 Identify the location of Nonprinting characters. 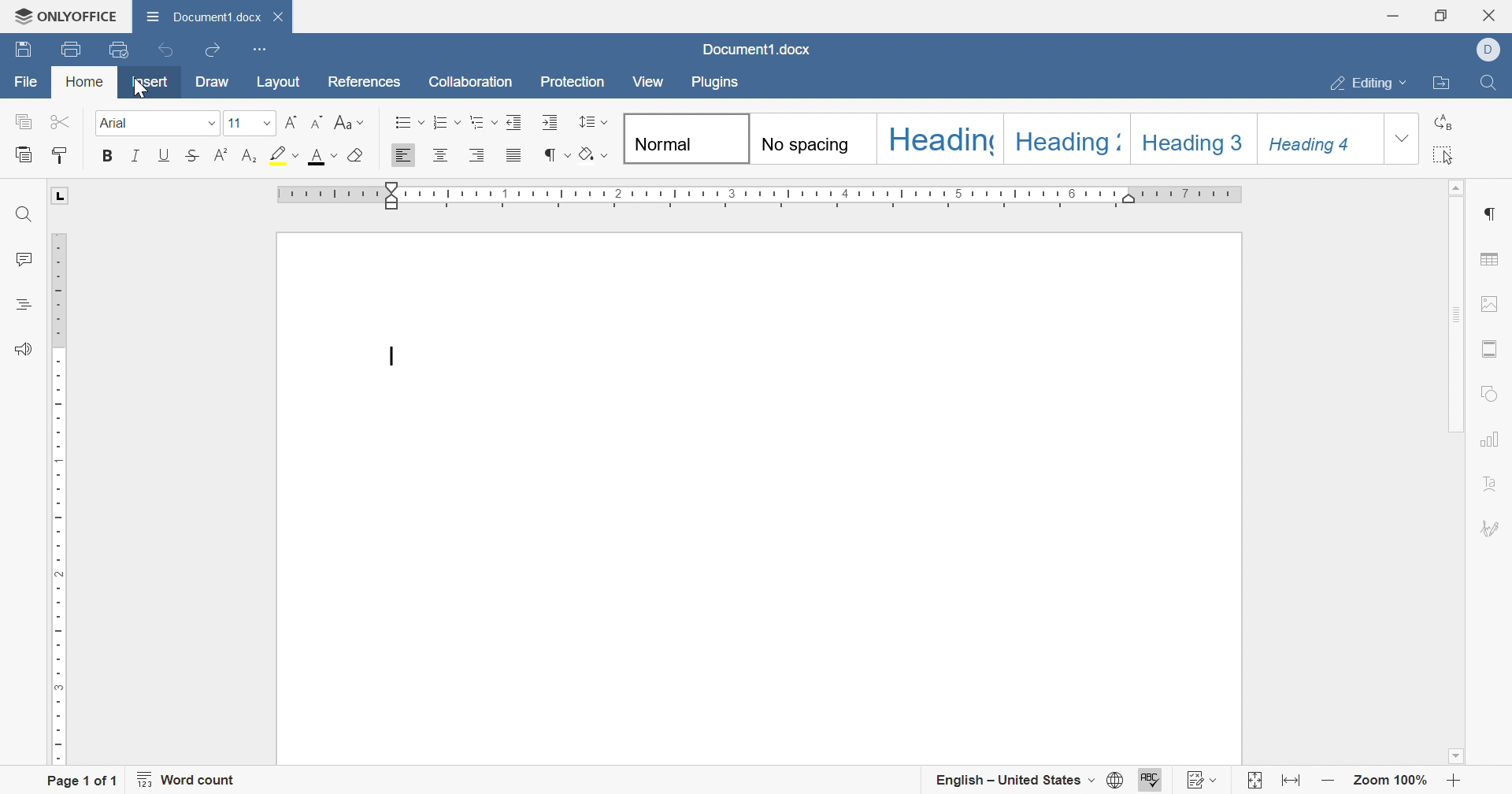
(551, 155).